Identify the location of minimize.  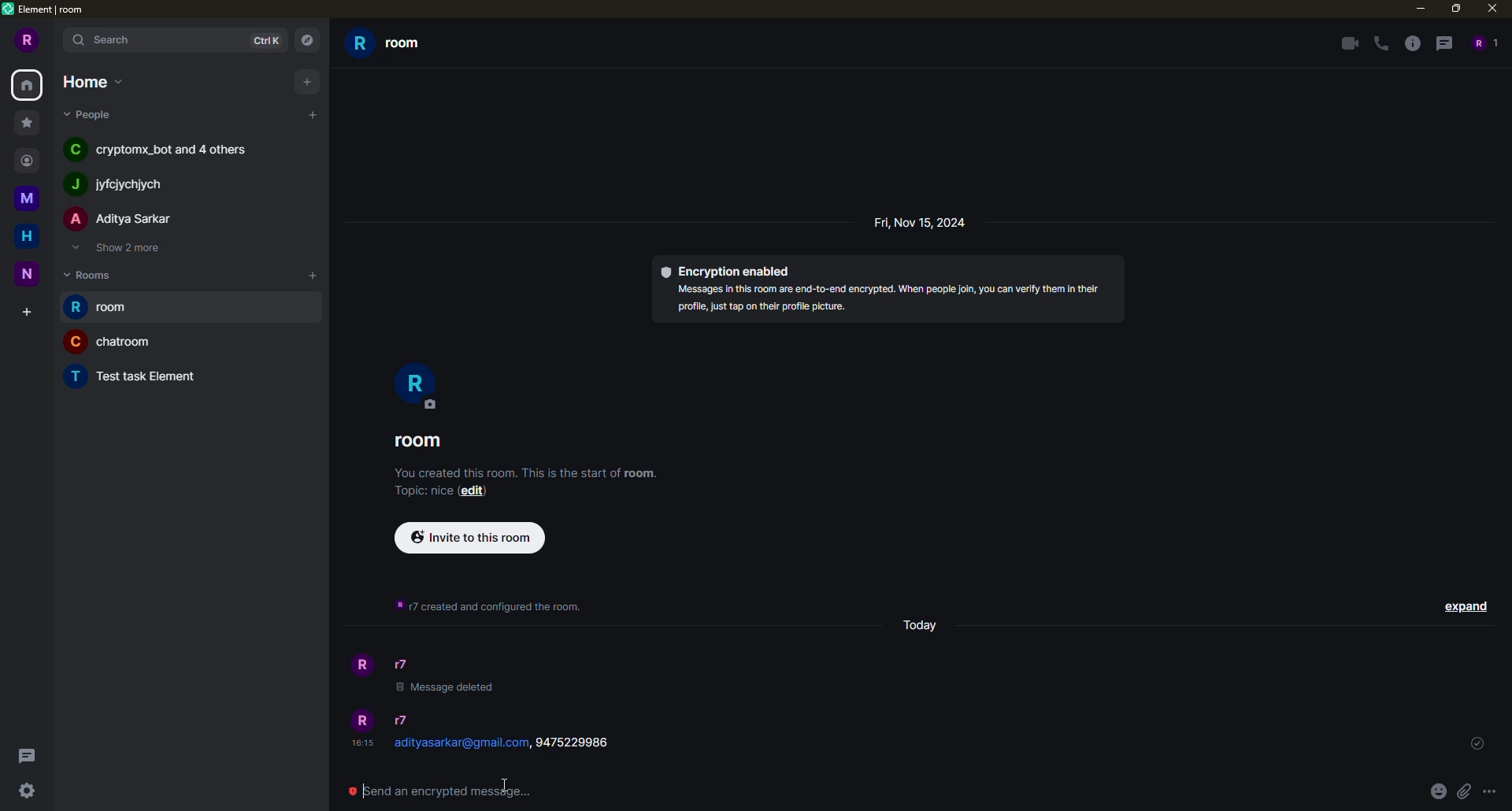
(1417, 9).